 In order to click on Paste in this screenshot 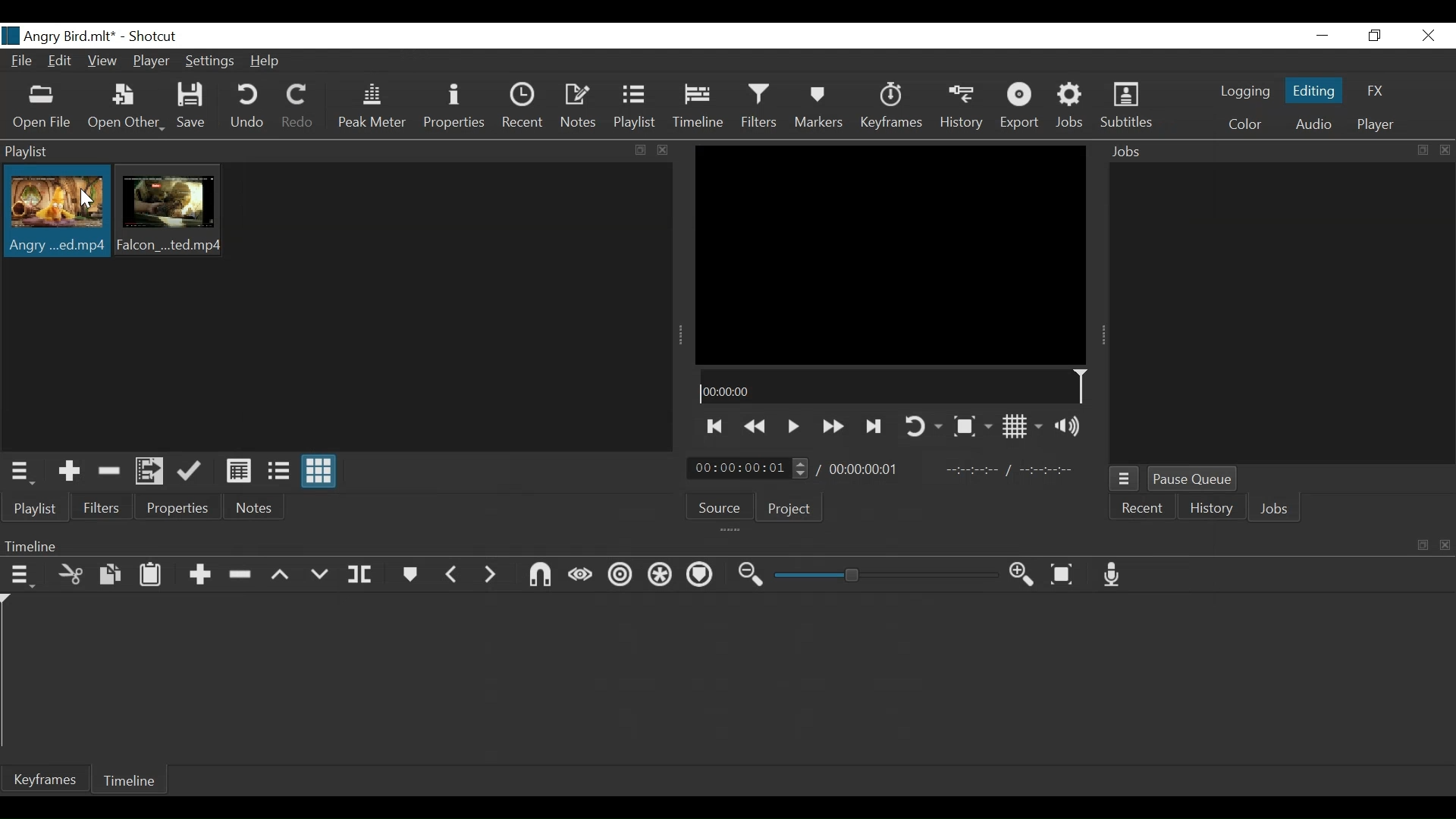, I will do `click(154, 576)`.